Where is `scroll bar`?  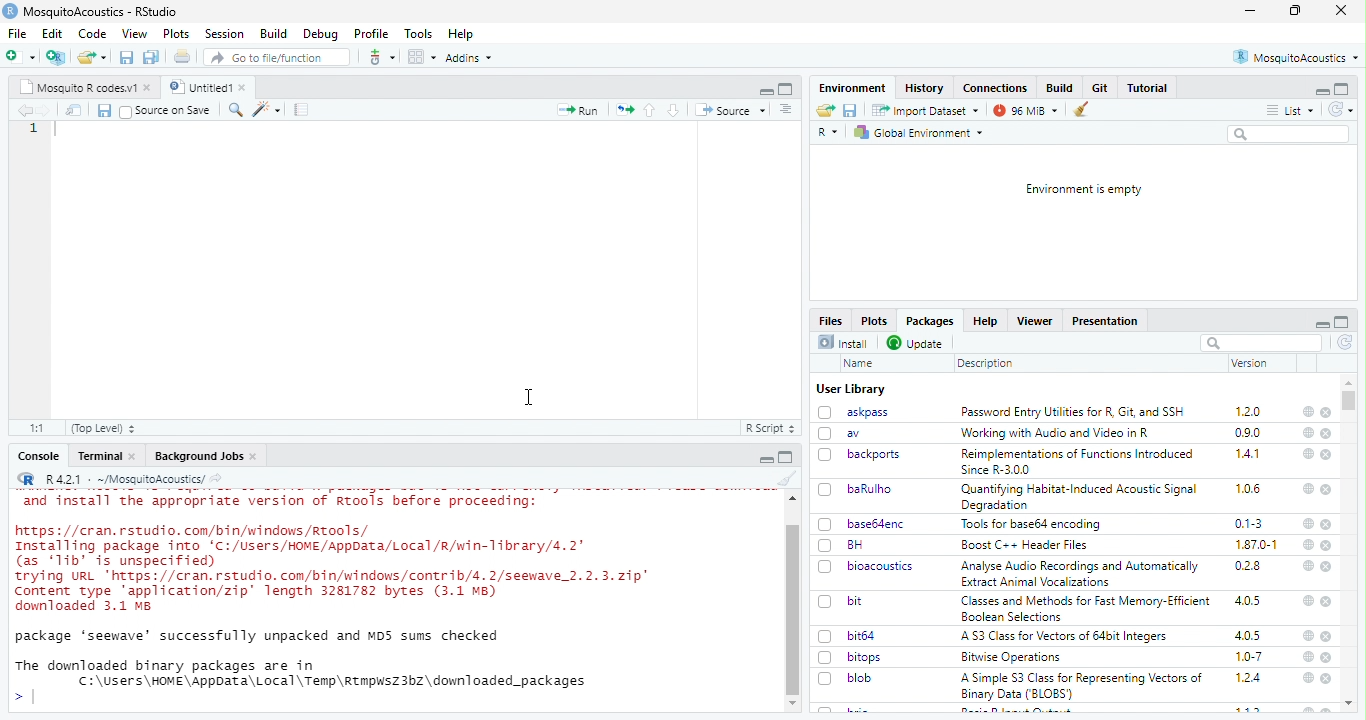 scroll bar is located at coordinates (1348, 401).